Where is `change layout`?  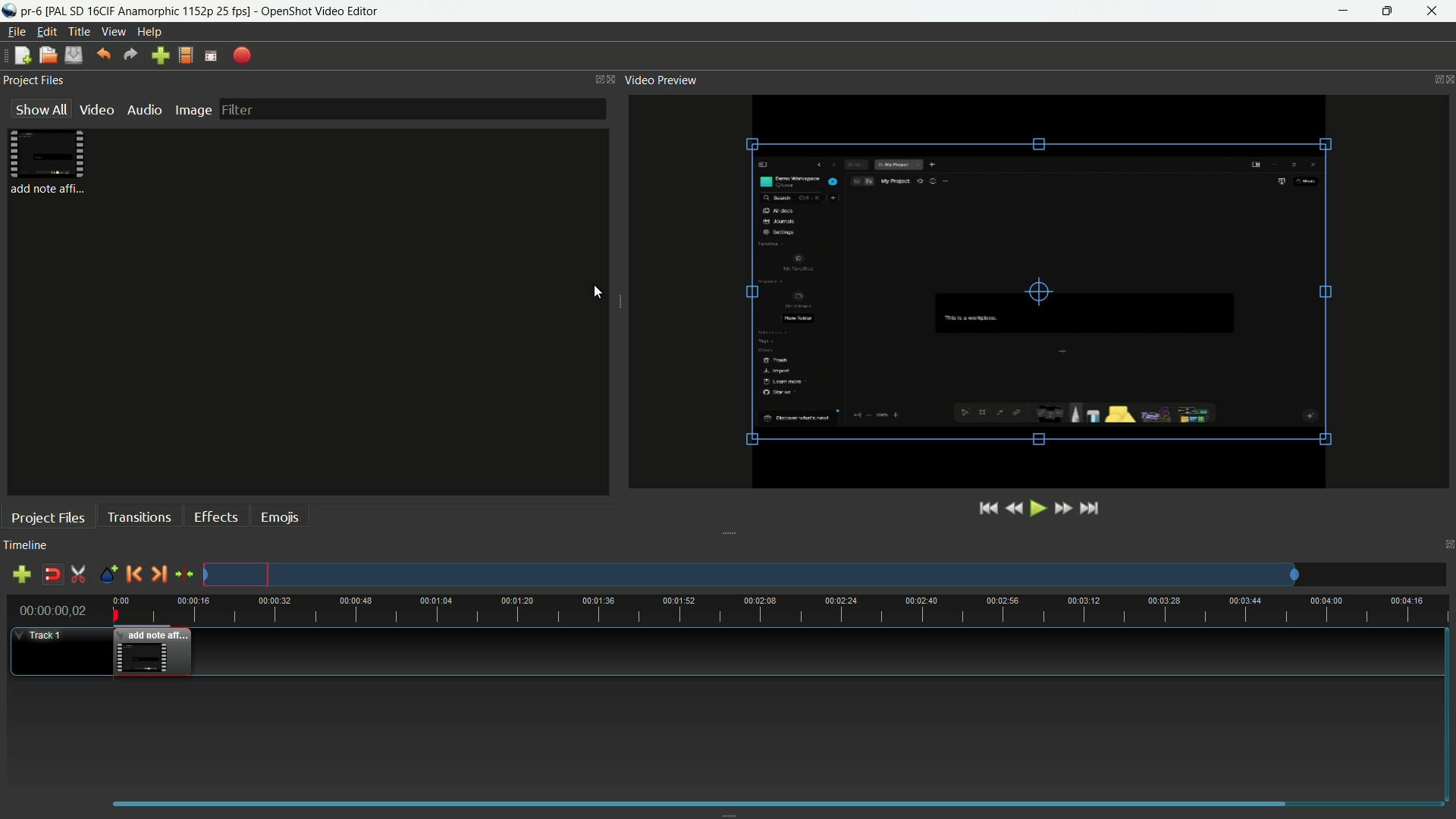
change layout is located at coordinates (593, 80).